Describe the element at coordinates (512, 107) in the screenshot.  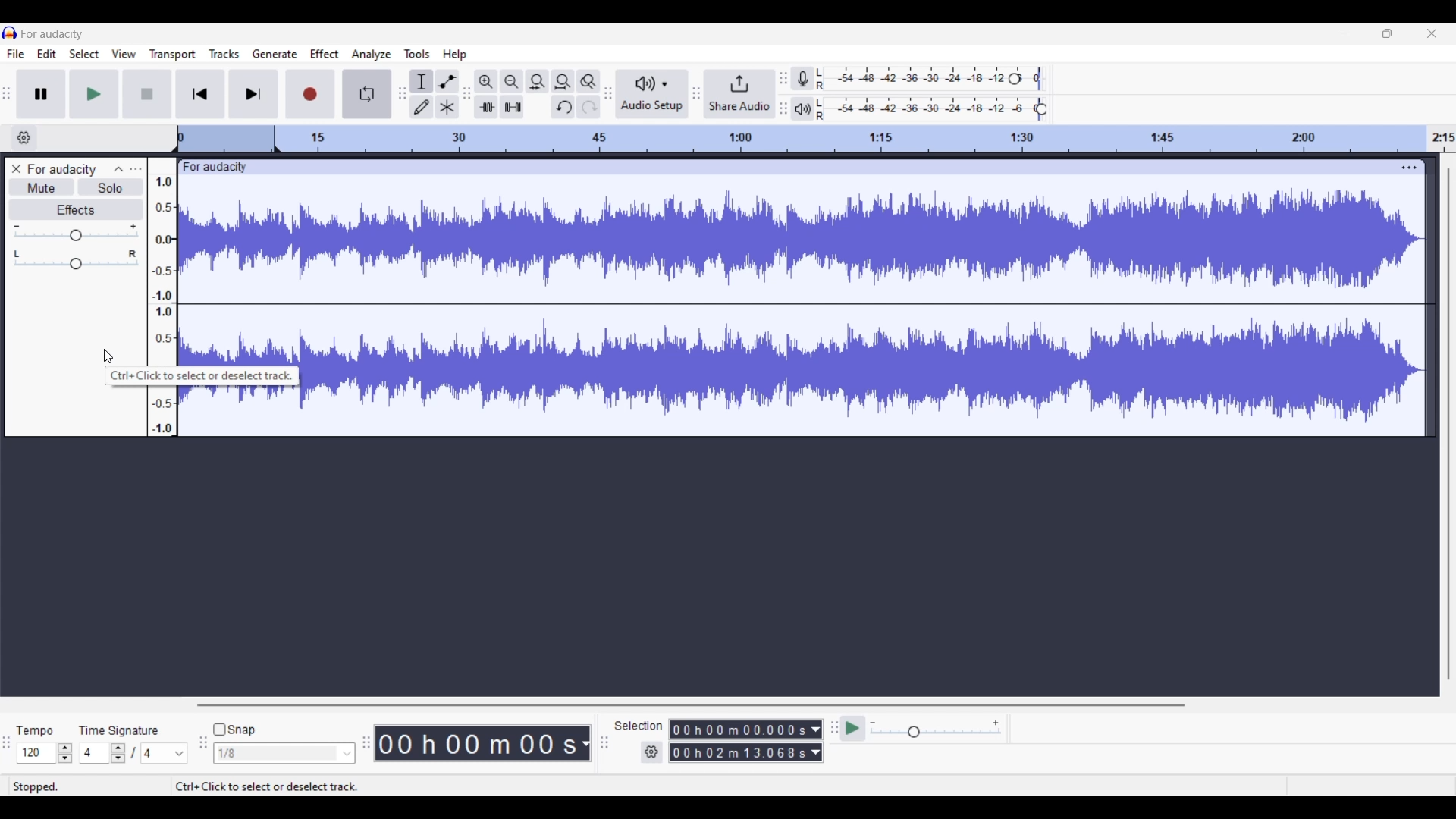
I see `Silence audio selection` at that location.